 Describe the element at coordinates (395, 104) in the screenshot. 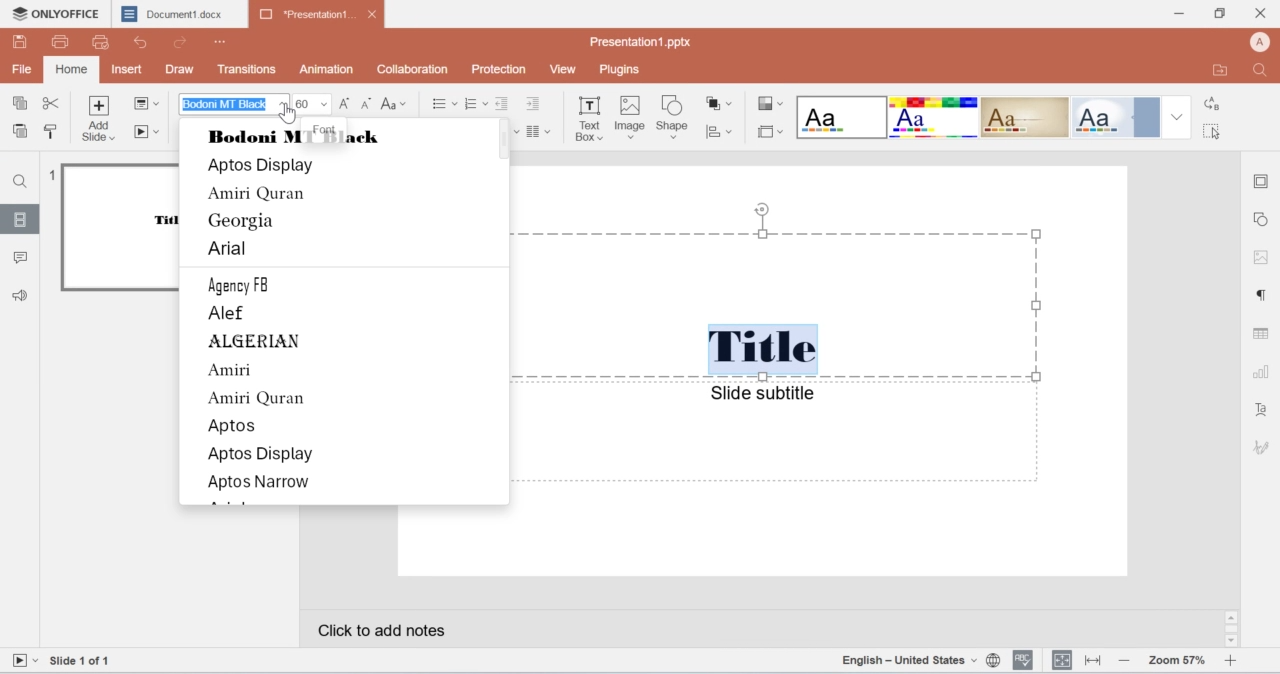

I see `case` at that location.